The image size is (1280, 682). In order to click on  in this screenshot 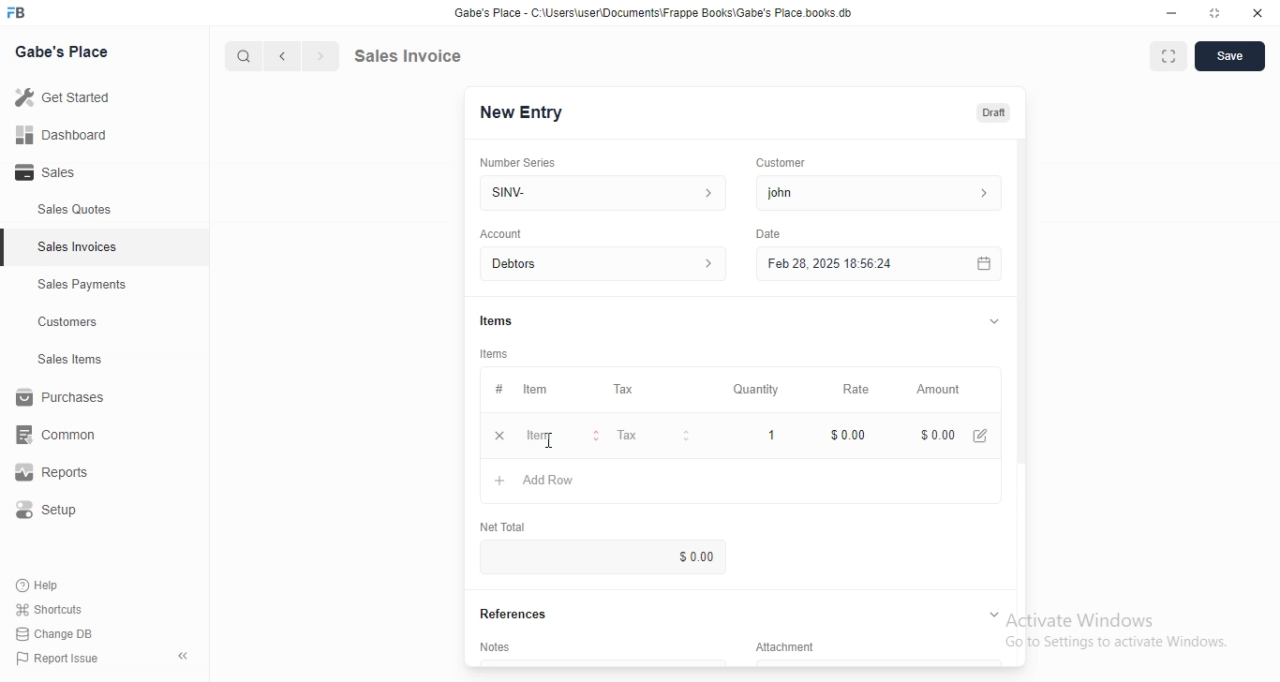, I will do `click(499, 320)`.